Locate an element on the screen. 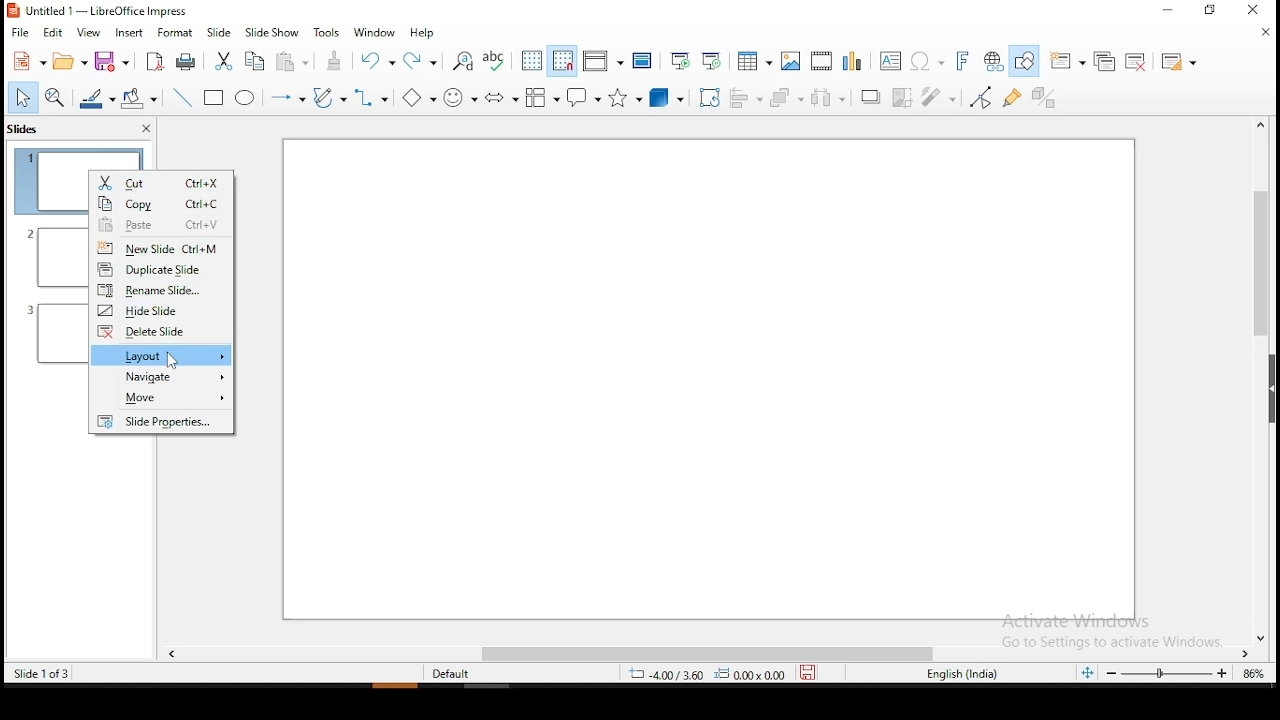 This screenshot has height=720, width=1280. layout is located at coordinates (163, 355).